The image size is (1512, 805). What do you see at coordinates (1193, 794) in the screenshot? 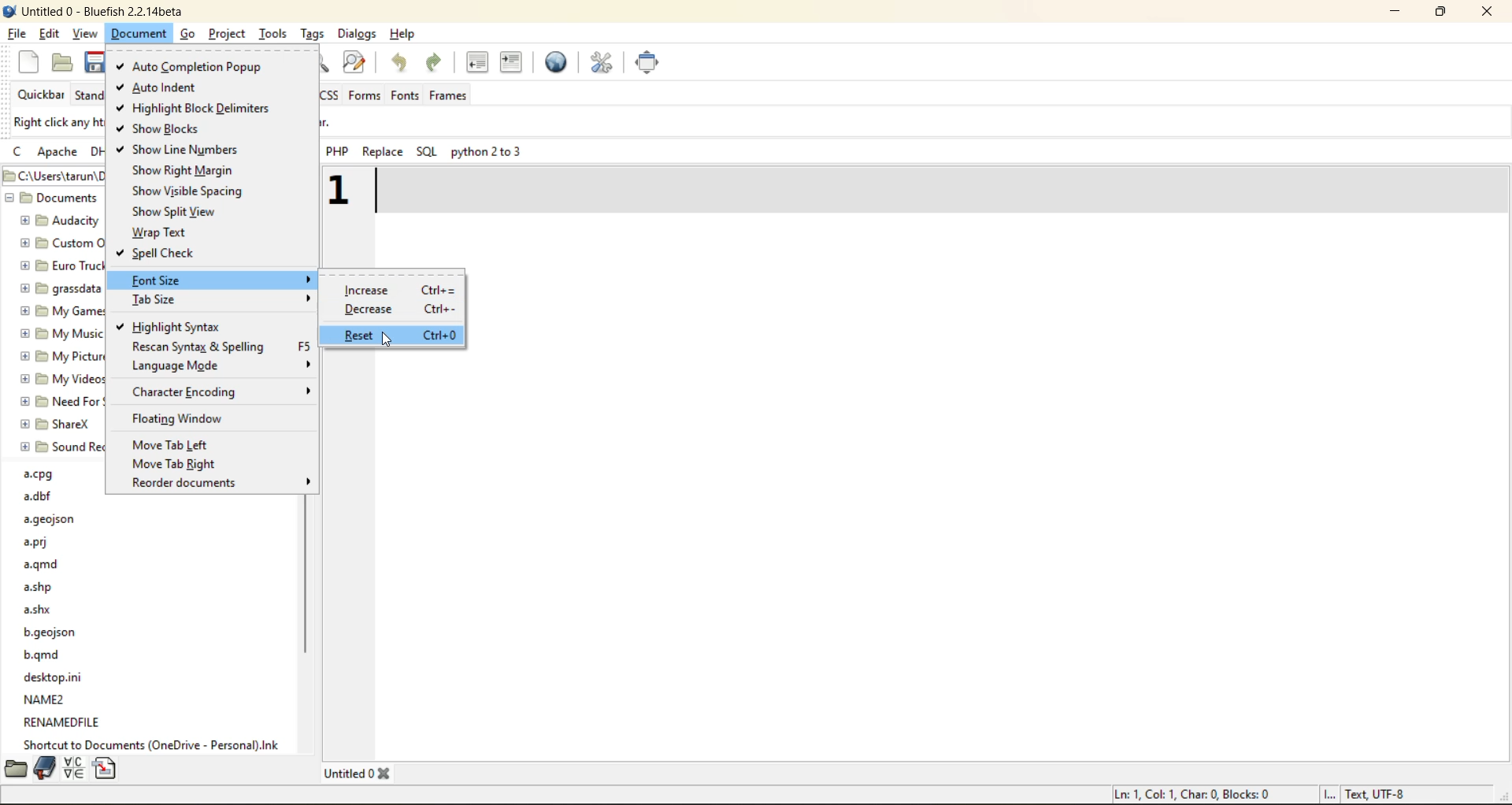
I see `Ln: 1, Col: 1, Char: 0, Blocks: 0` at bounding box center [1193, 794].